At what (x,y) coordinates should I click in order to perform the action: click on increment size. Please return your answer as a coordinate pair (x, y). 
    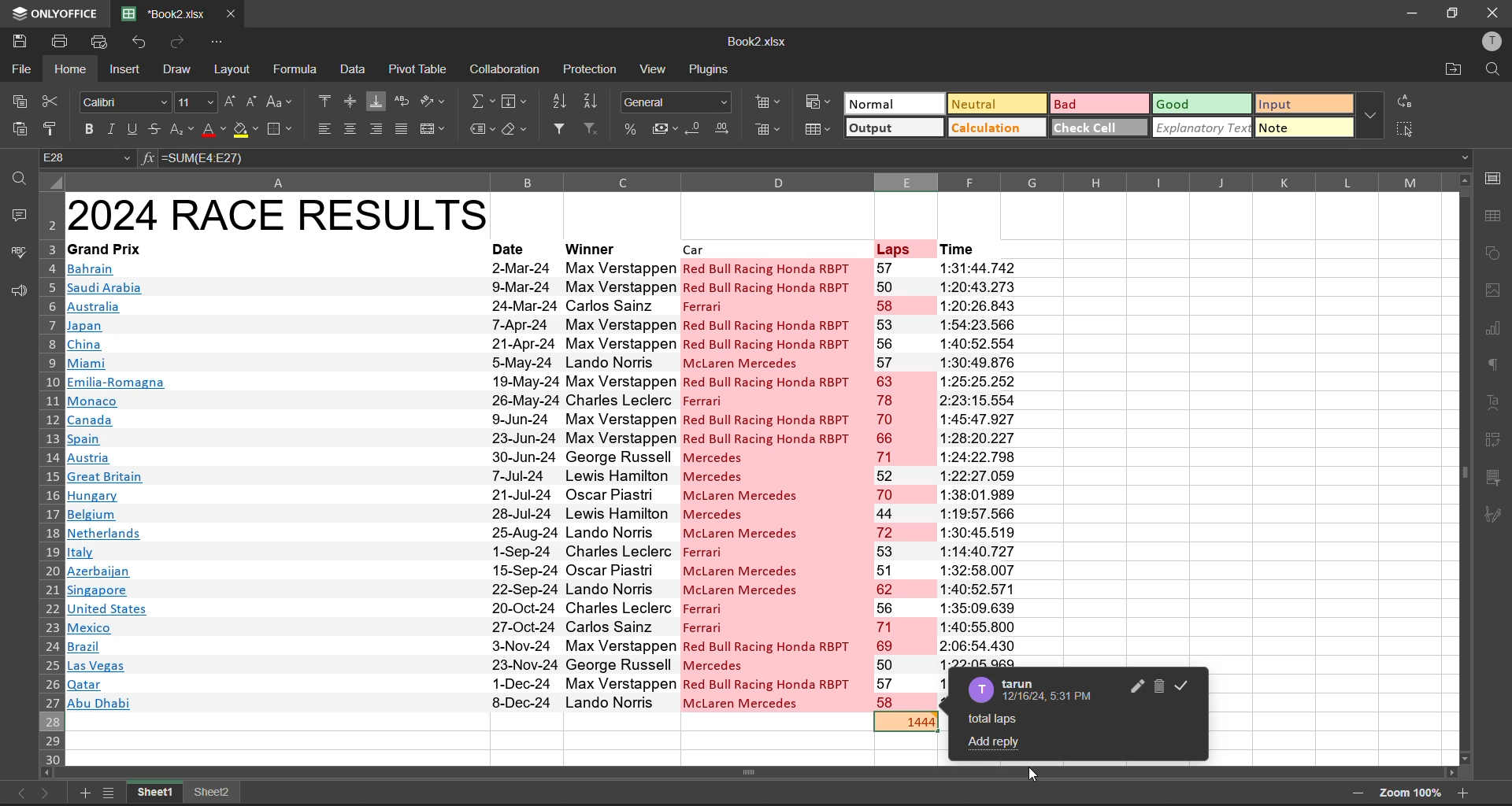
    Looking at the image, I should click on (231, 102).